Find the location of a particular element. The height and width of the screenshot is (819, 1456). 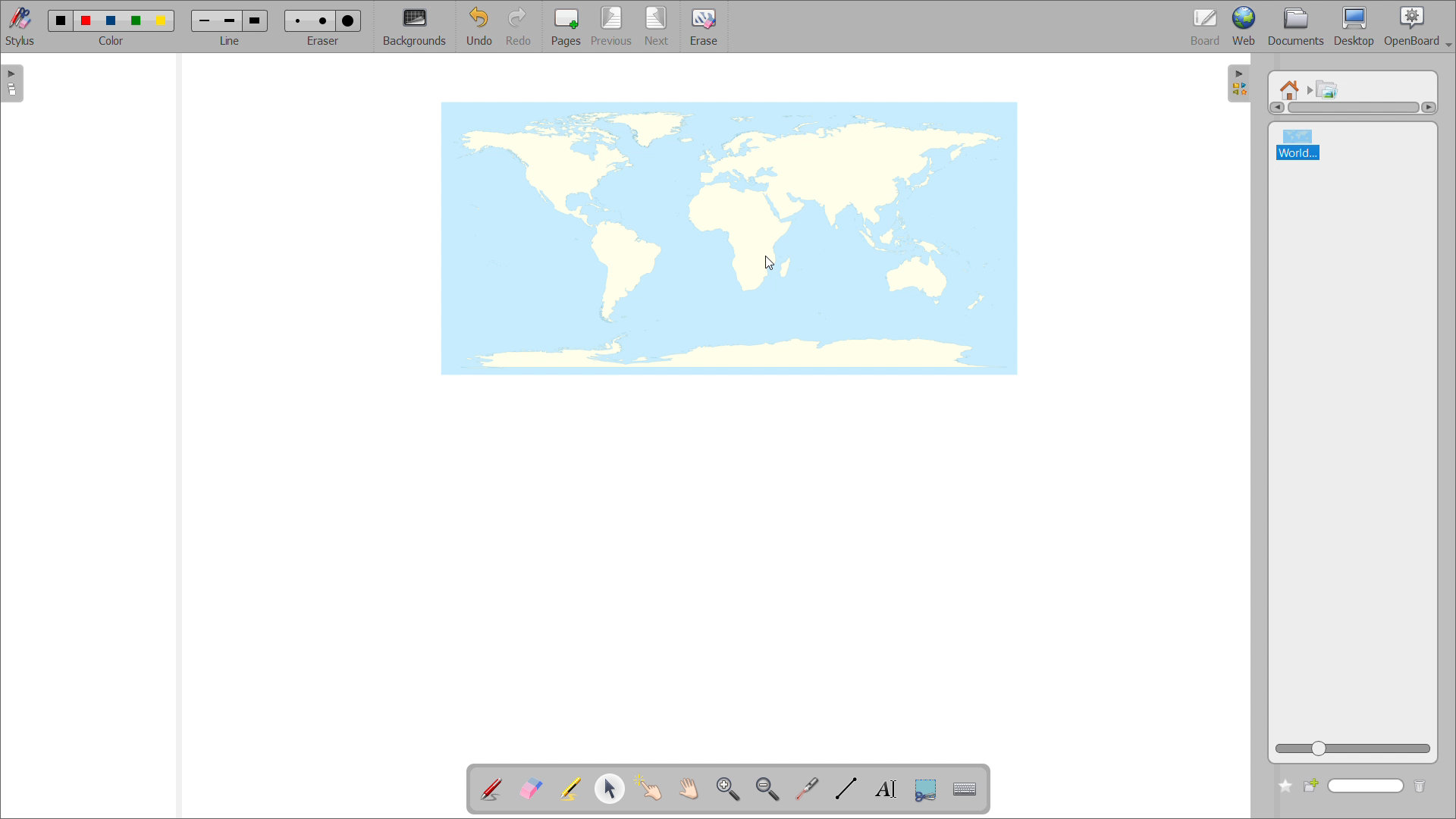

web is located at coordinates (1245, 27).